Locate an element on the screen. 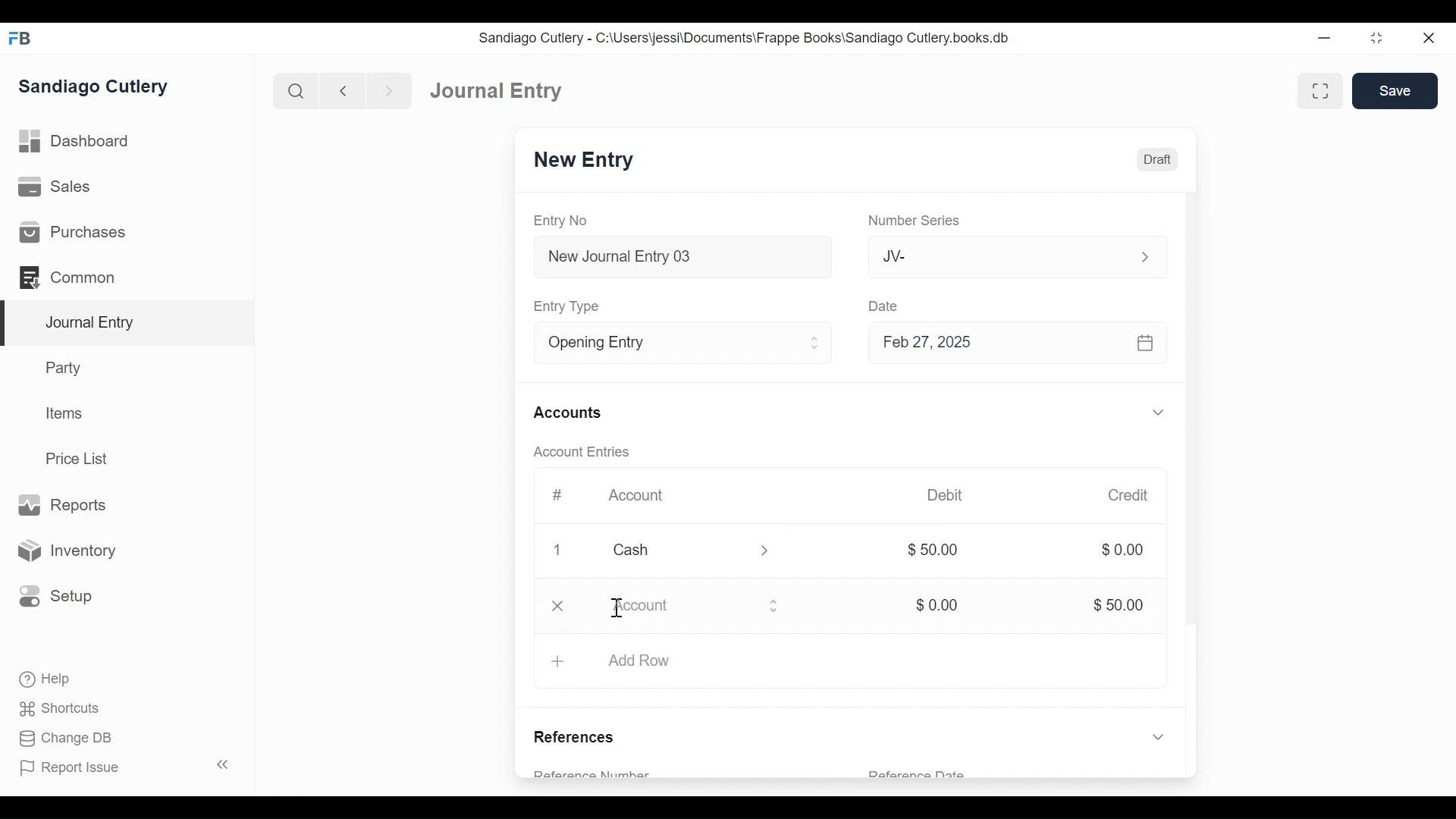 This screenshot has width=1456, height=819. # is located at coordinates (558, 494).